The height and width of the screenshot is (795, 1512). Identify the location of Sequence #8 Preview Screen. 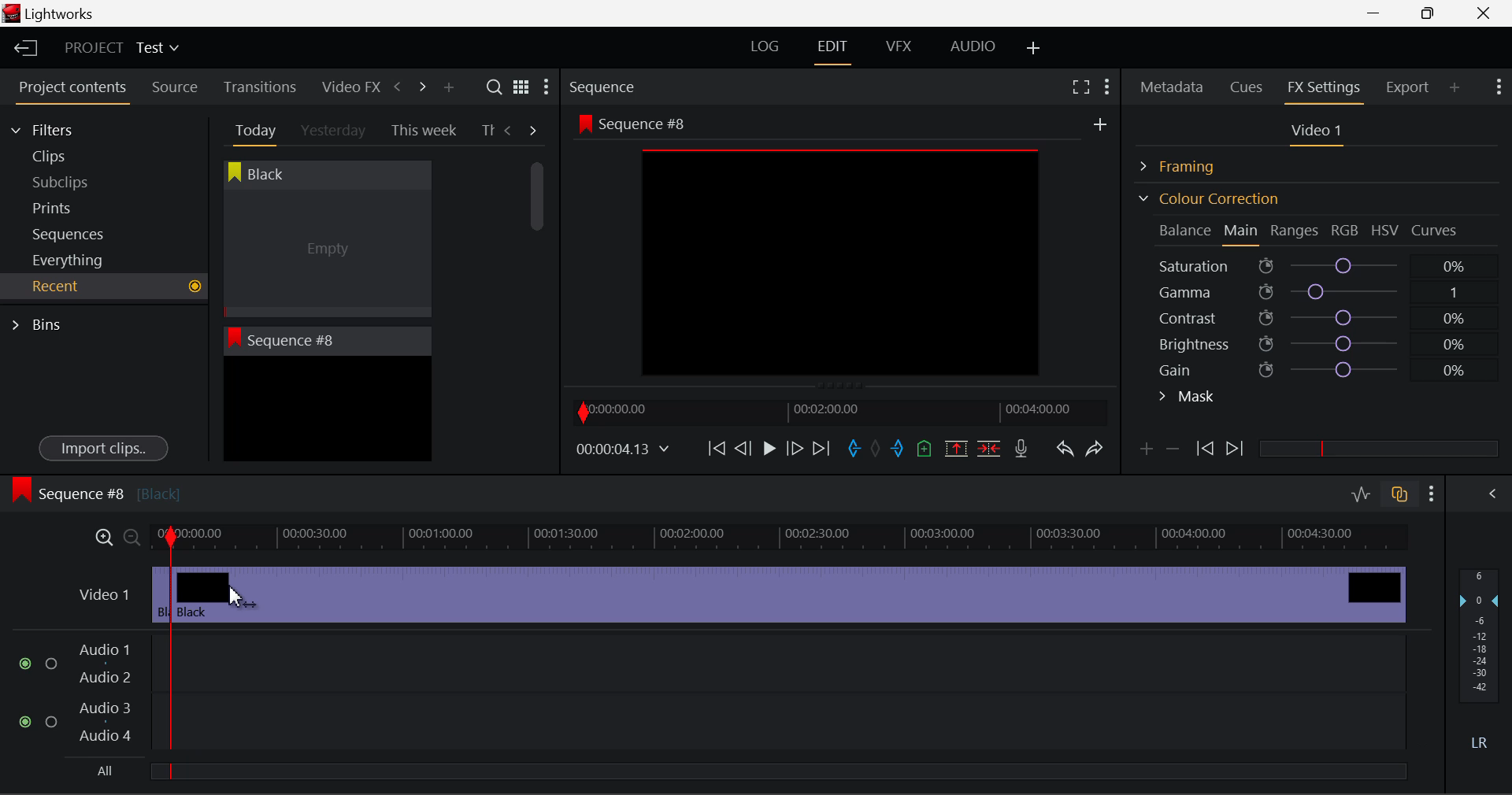
(841, 250).